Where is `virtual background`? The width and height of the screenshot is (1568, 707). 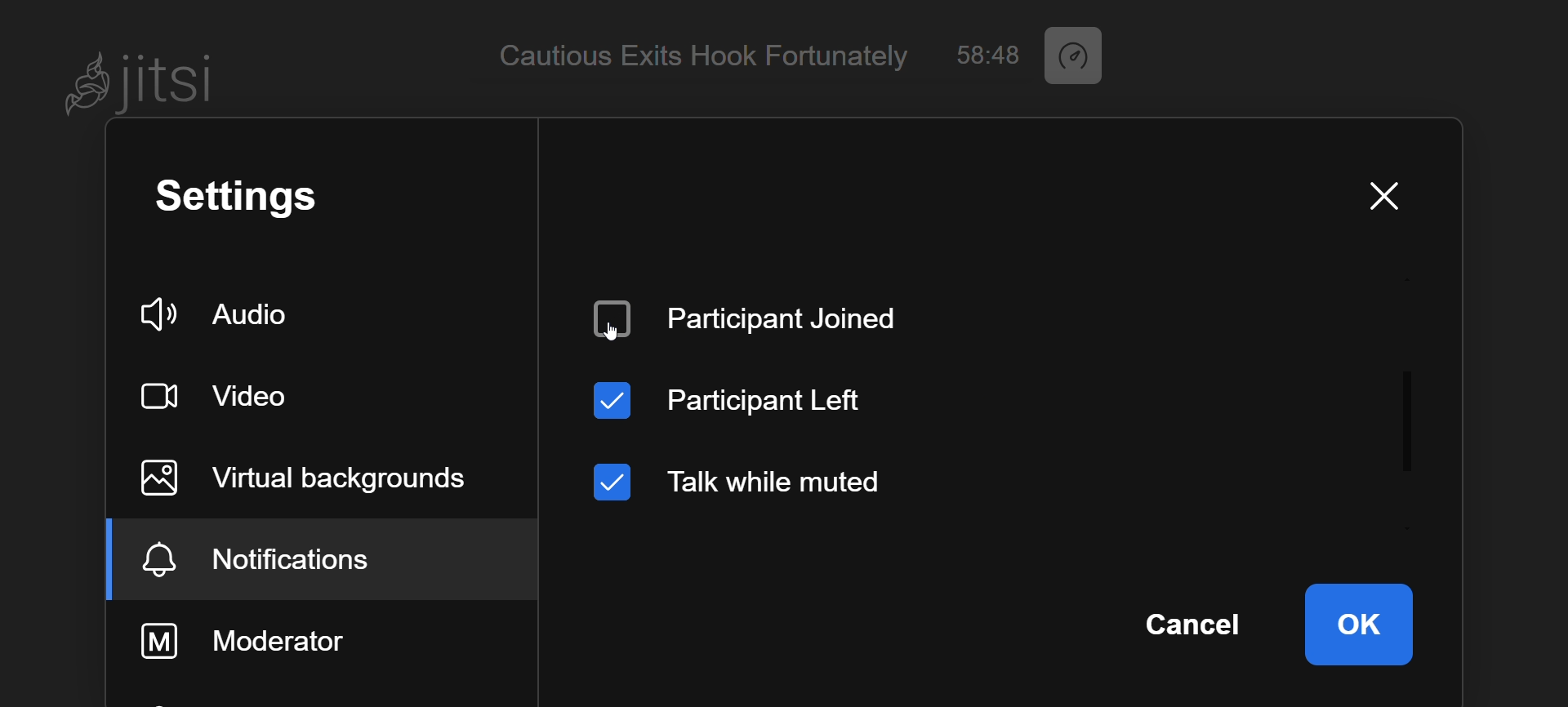
virtual background is located at coordinates (308, 475).